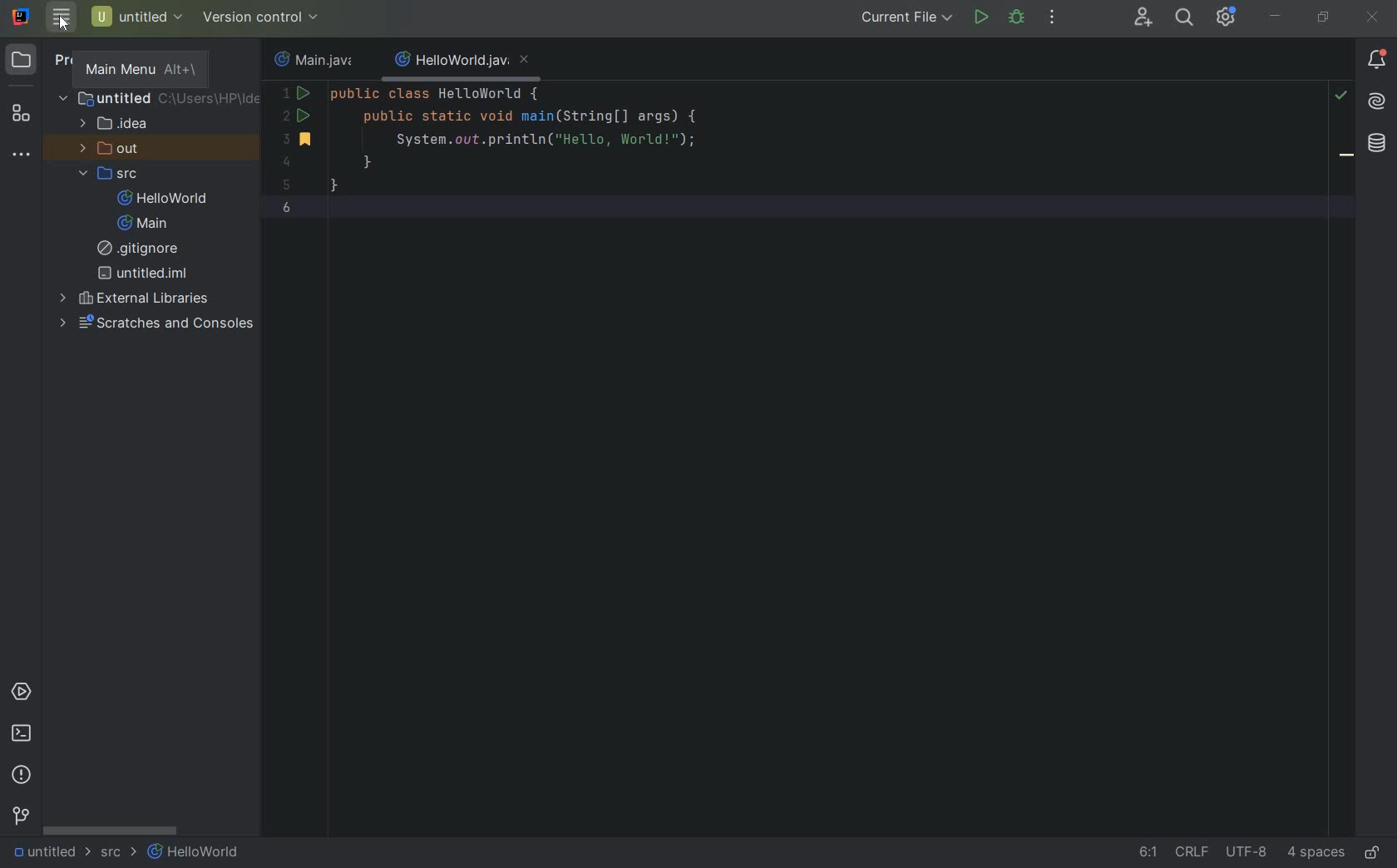 The height and width of the screenshot is (868, 1397). What do you see at coordinates (1324, 18) in the screenshot?
I see `restore down` at bounding box center [1324, 18].